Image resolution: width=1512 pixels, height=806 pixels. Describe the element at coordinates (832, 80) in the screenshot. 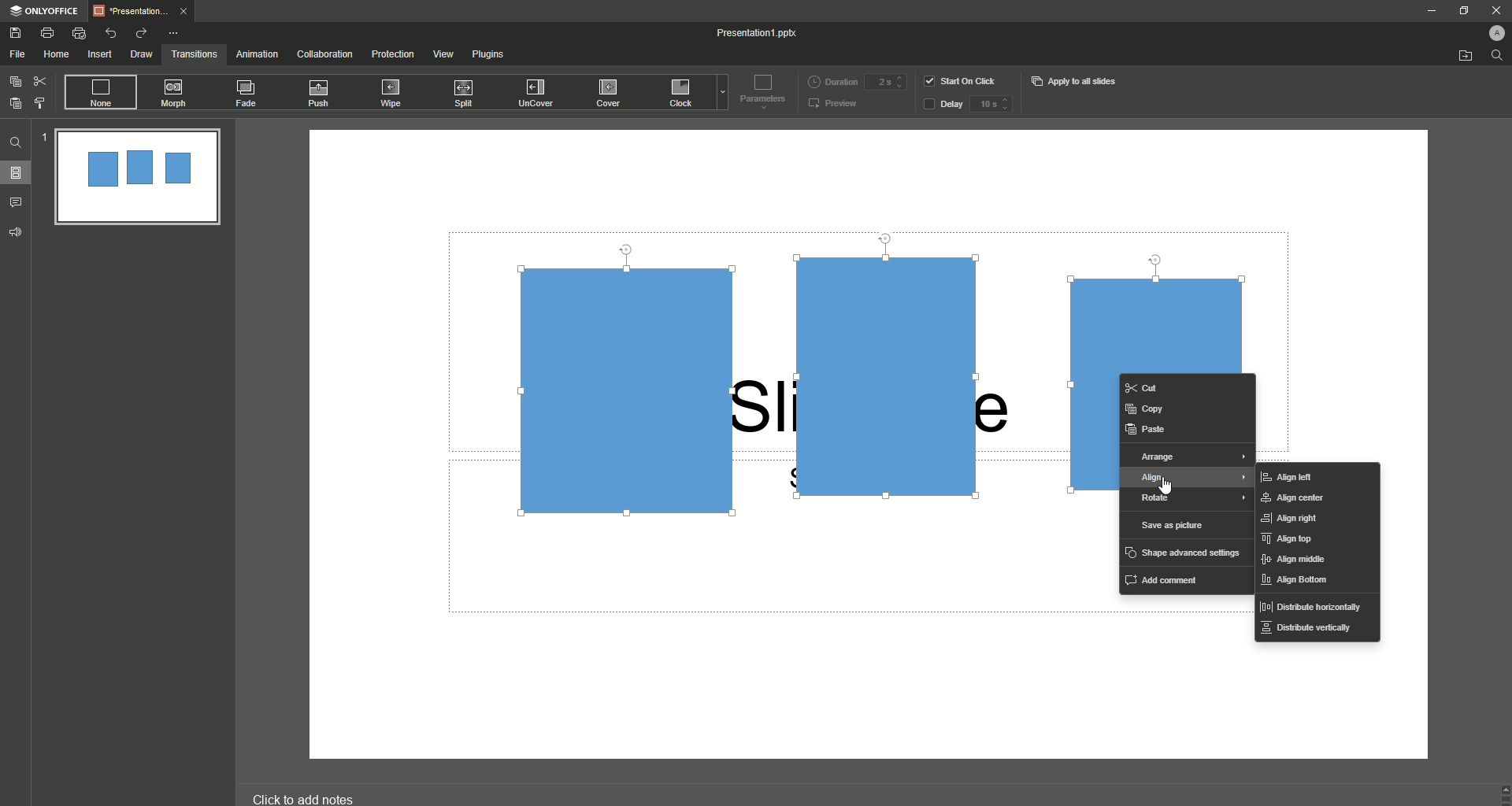

I see `Duration` at that location.